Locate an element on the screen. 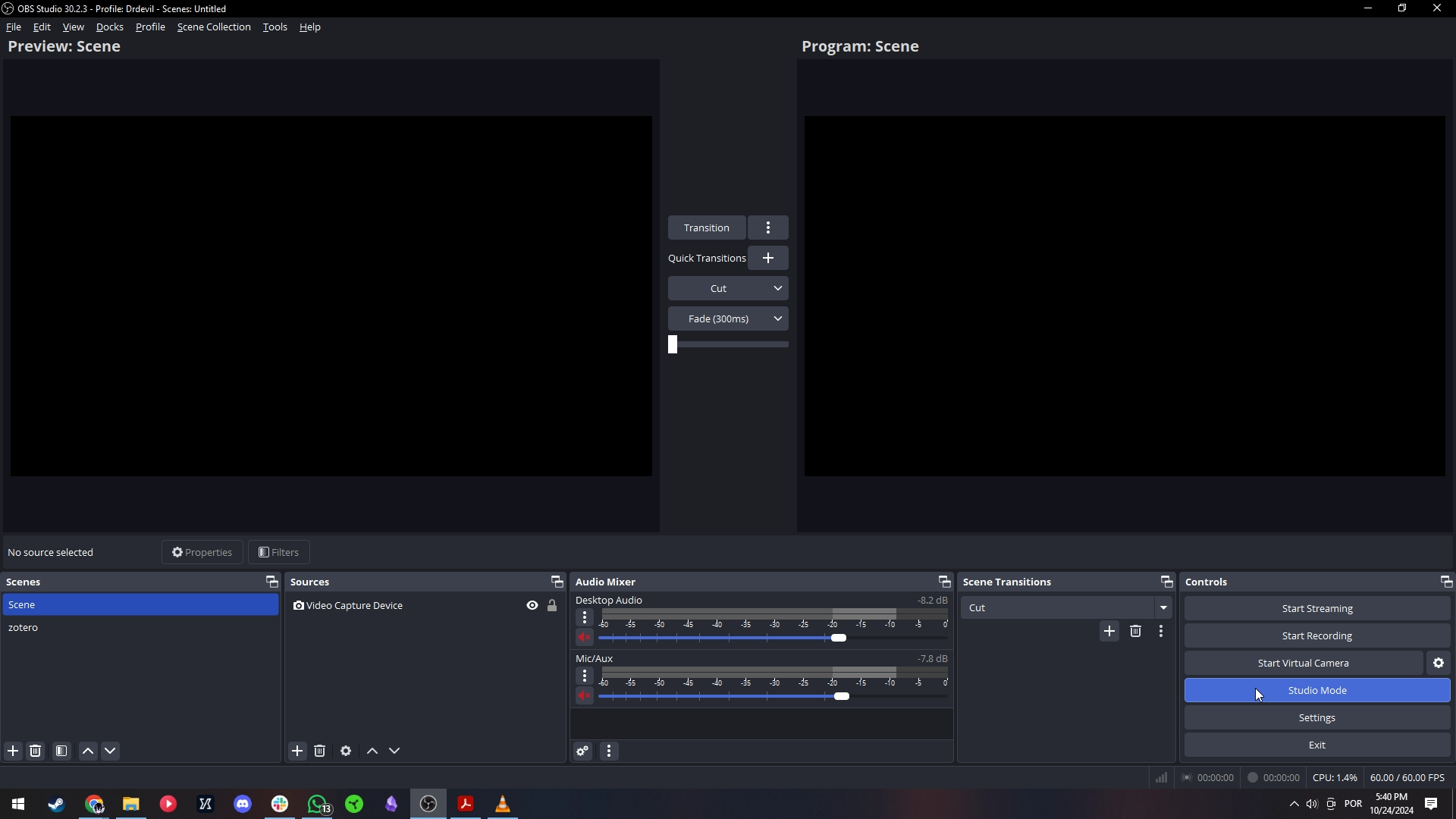 Image resolution: width=1456 pixels, height=819 pixels. X is located at coordinates (208, 803).